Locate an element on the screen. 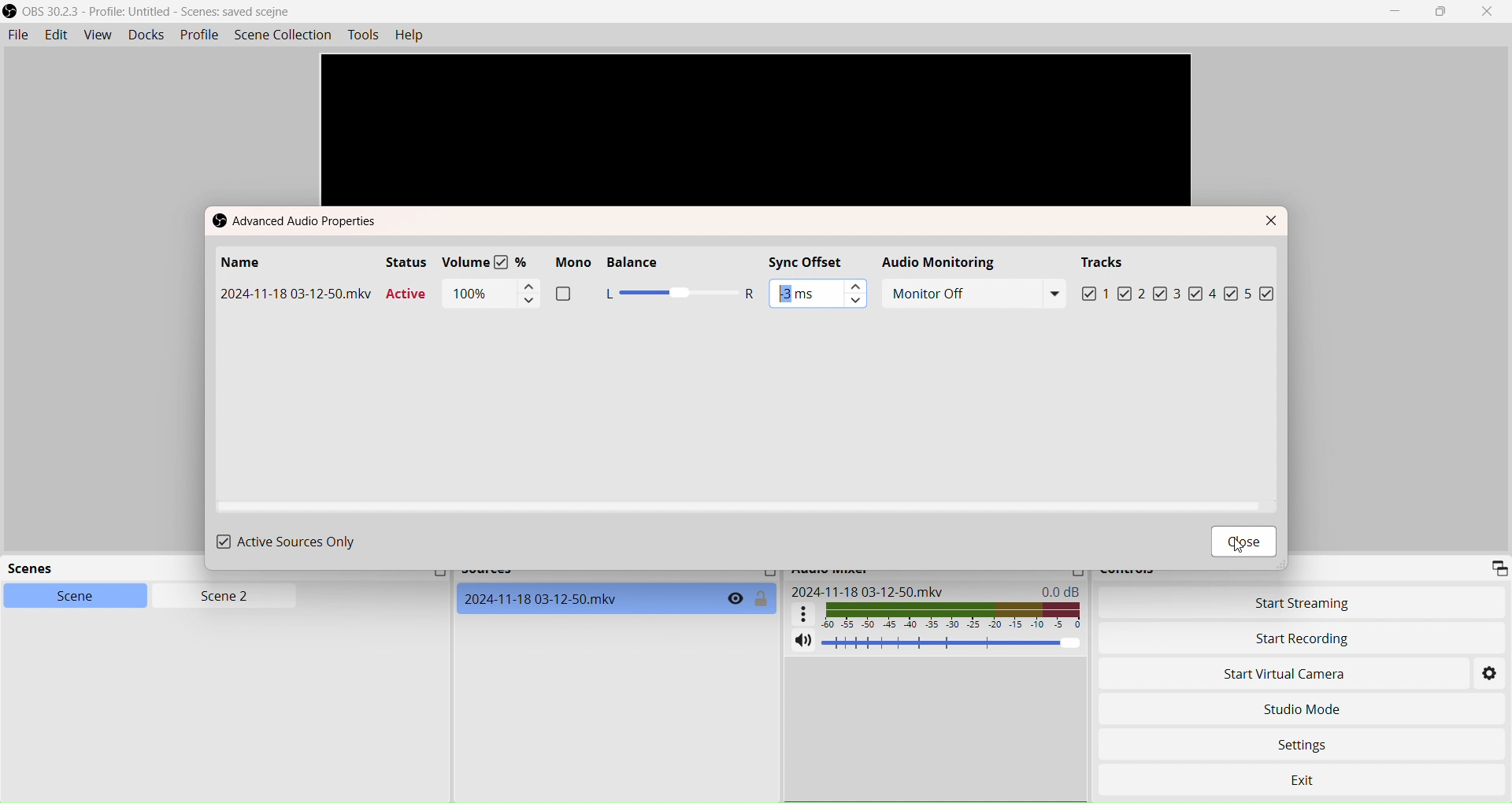 The height and width of the screenshot is (803, 1512). 3 is located at coordinates (1187, 294).